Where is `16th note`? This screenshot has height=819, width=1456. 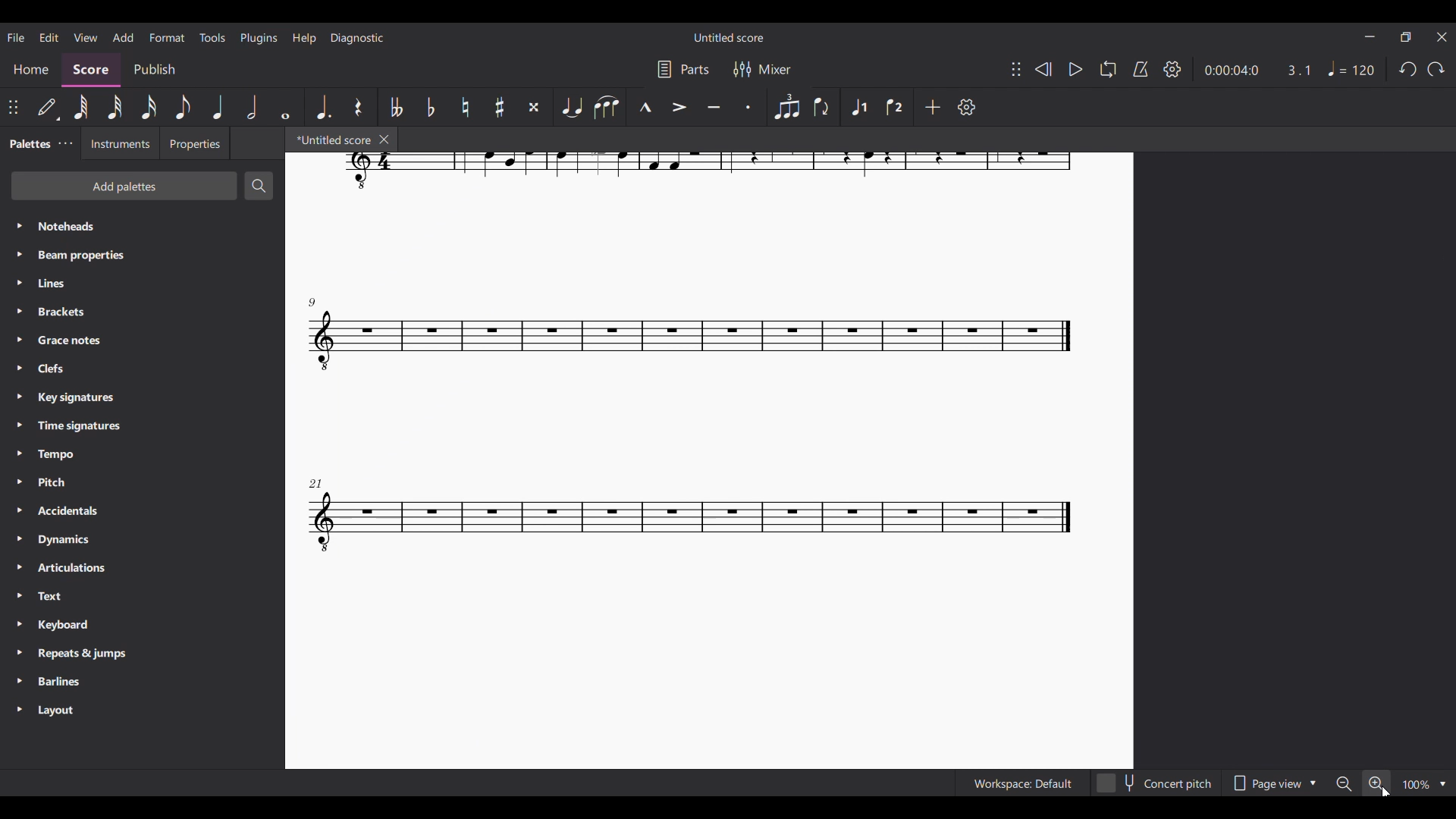
16th note is located at coordinates (149, 107).